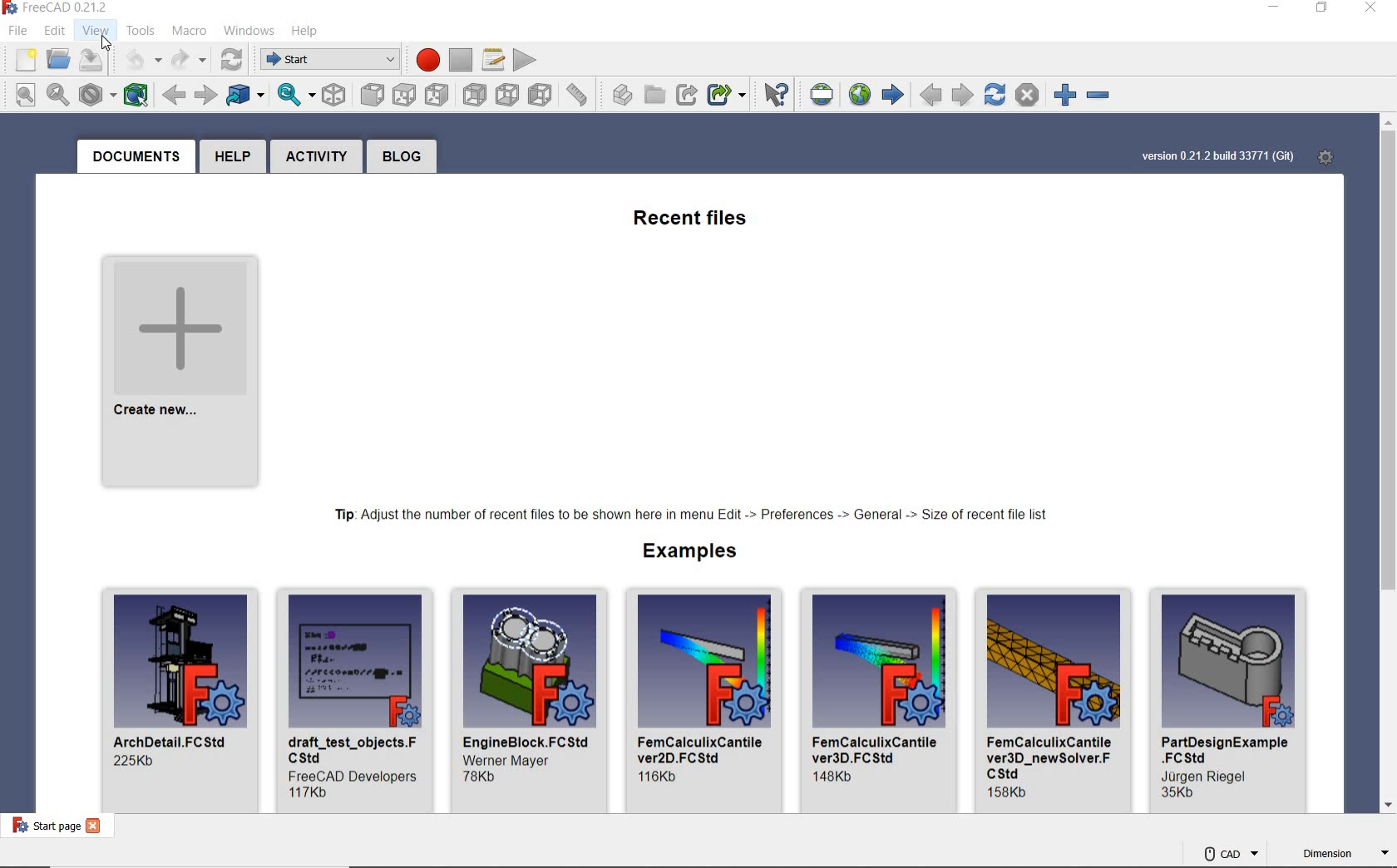 The height and width of the screenshot is (868, 1397). I want to click on FemCalculixCantile_newSolver, so click(1054, 699).